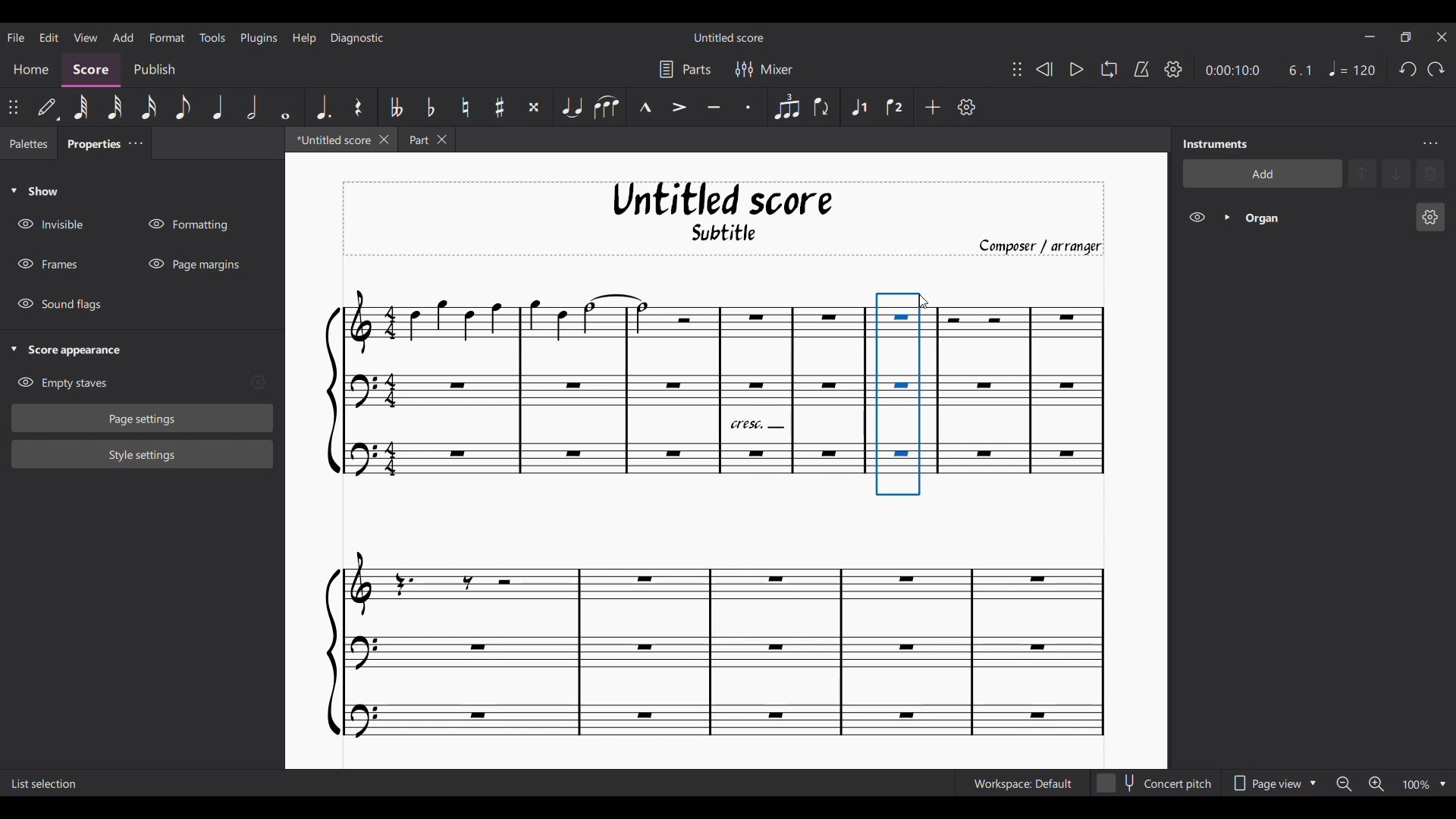 The width and height of the screenshot is (1456, 819). I want to click on Staccato, so click(752, 108).